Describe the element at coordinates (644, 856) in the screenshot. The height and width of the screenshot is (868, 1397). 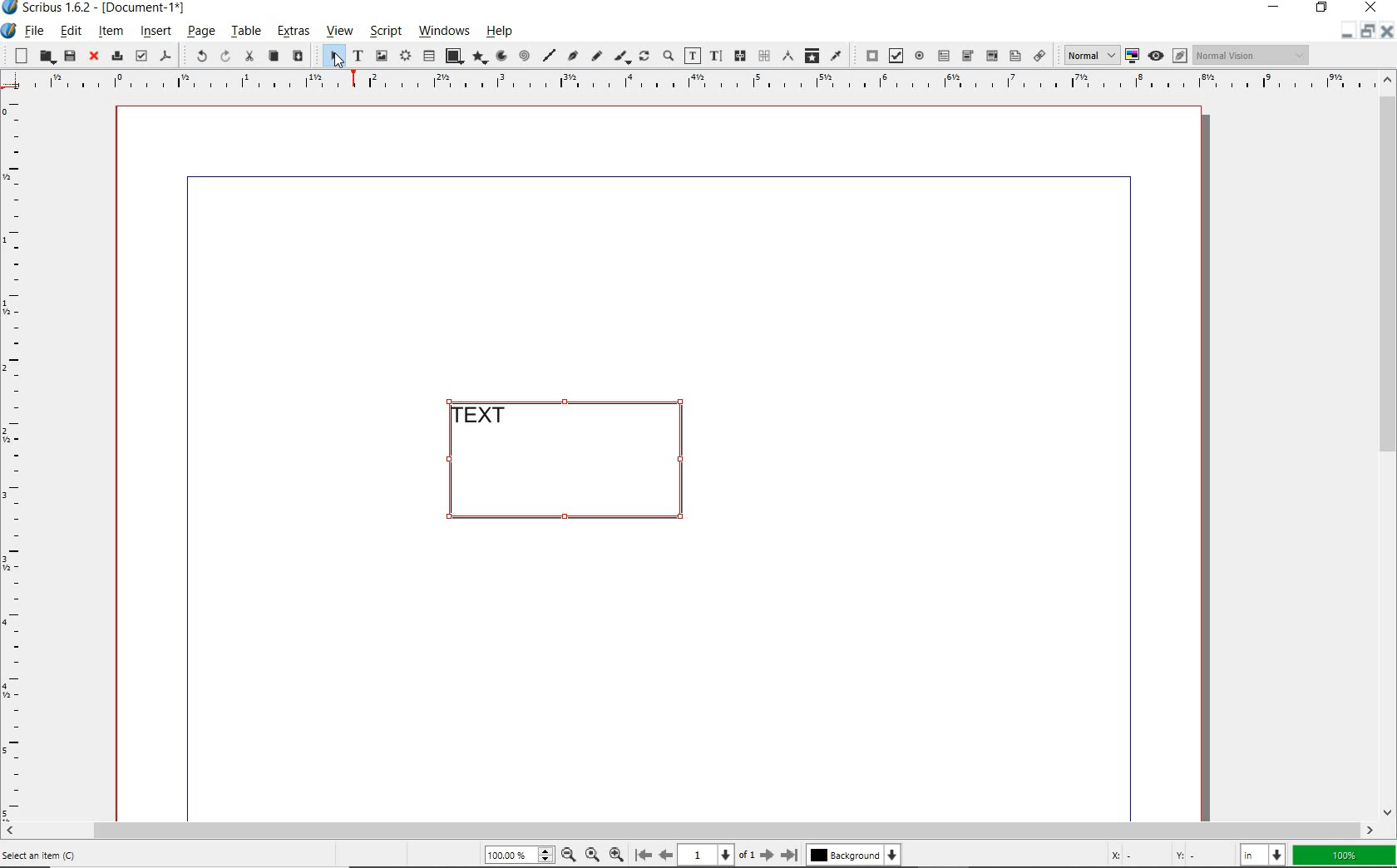
I see `First Page` at that location.